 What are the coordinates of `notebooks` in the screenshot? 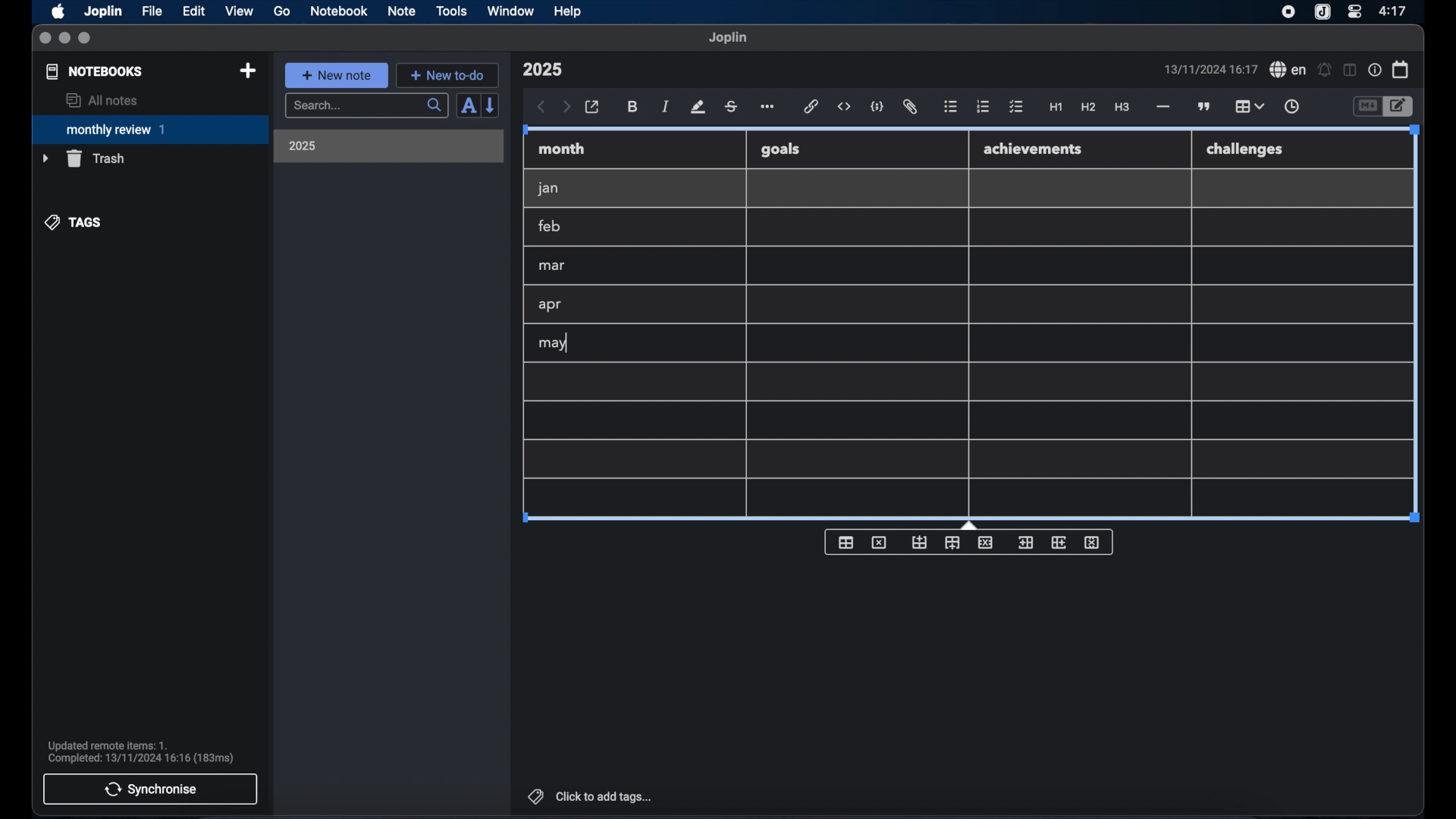 It's located at (95, 71).